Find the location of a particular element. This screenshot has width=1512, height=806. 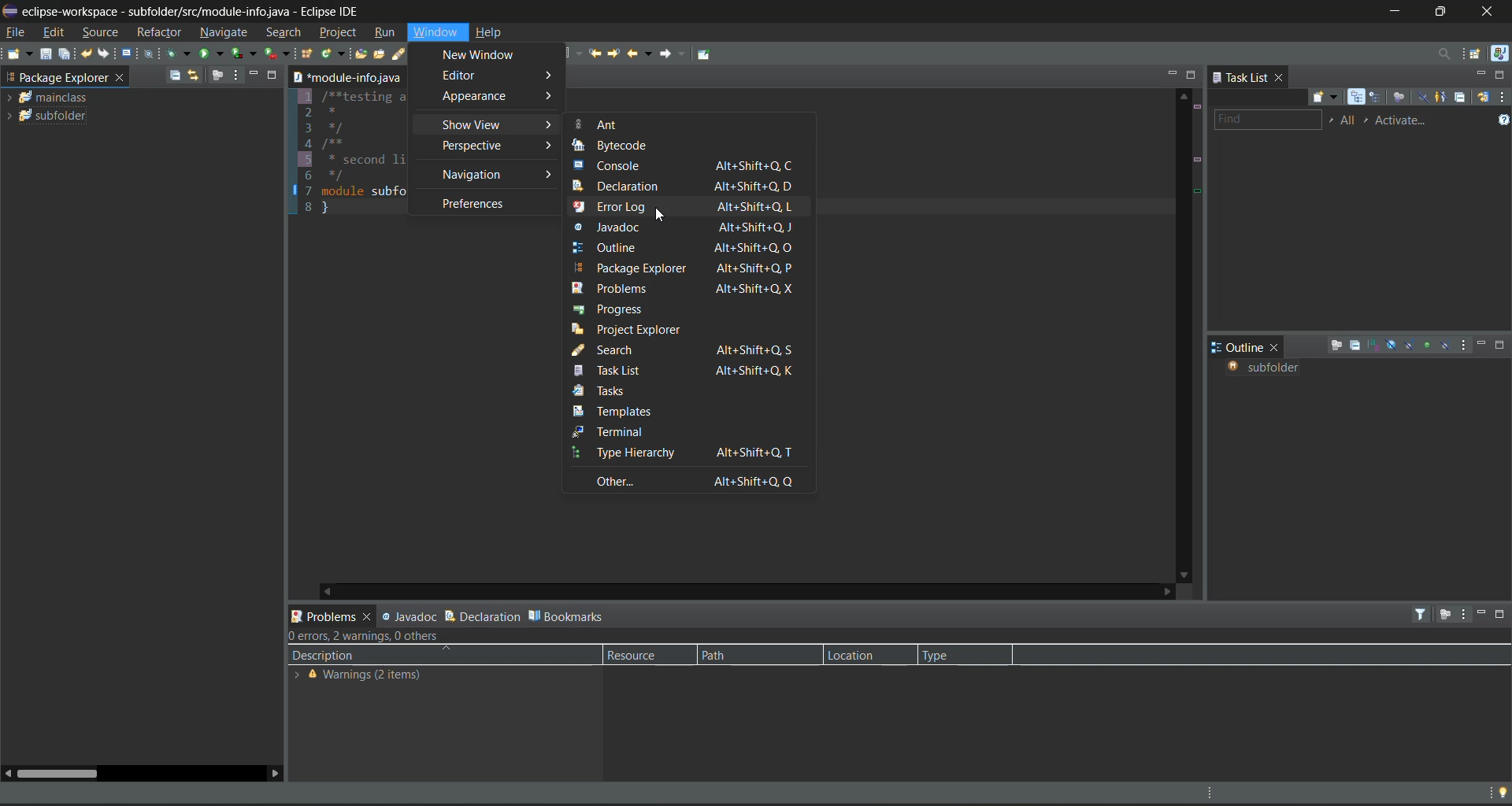

run last tool is located at coordinates (277, 54).